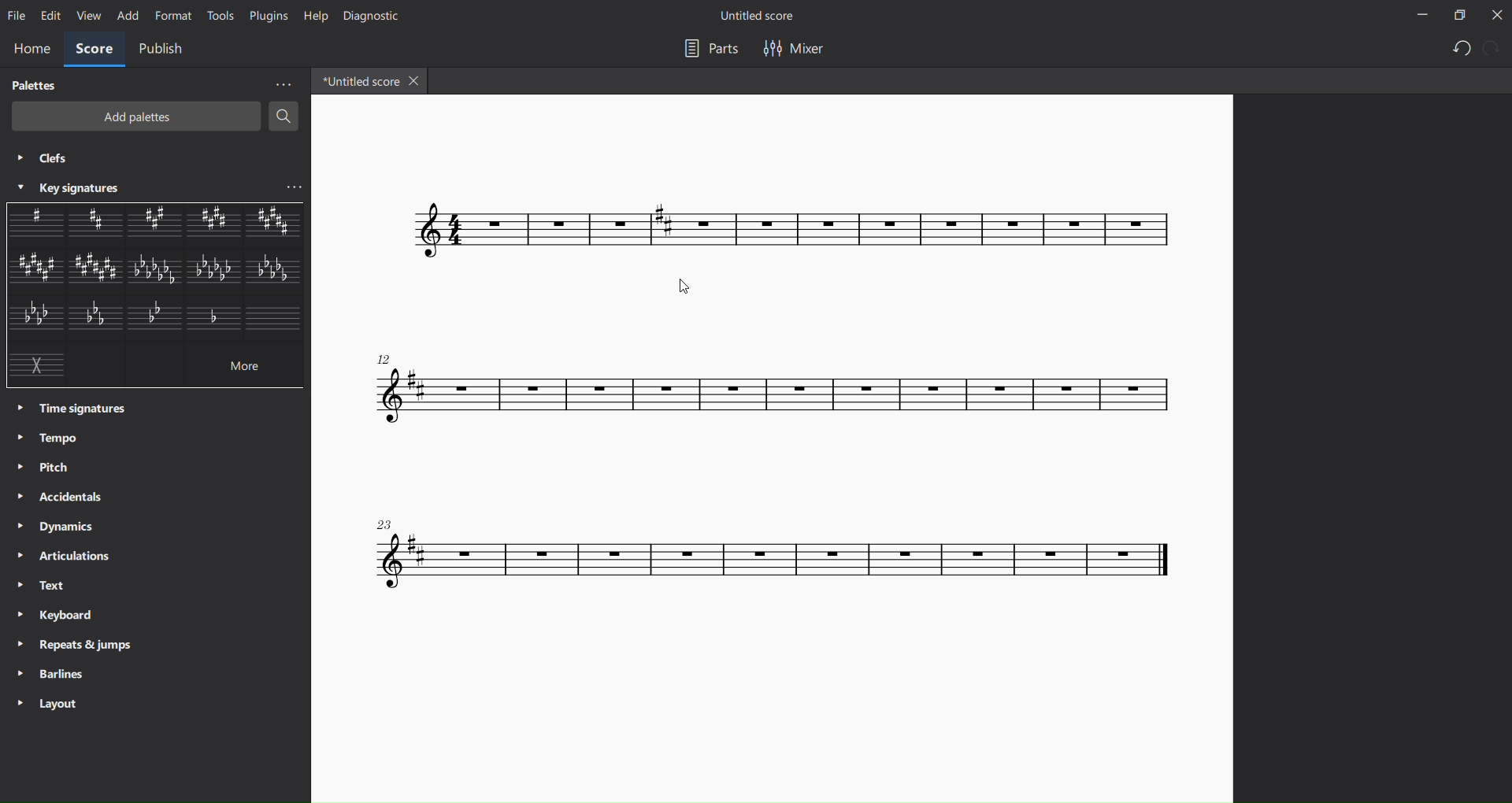 The height and width of the screenshot is (803, 1512). What do you see at coordinates (64, 528) in the screenshot?
I see `dynamics` at bounding box center [64, 528].